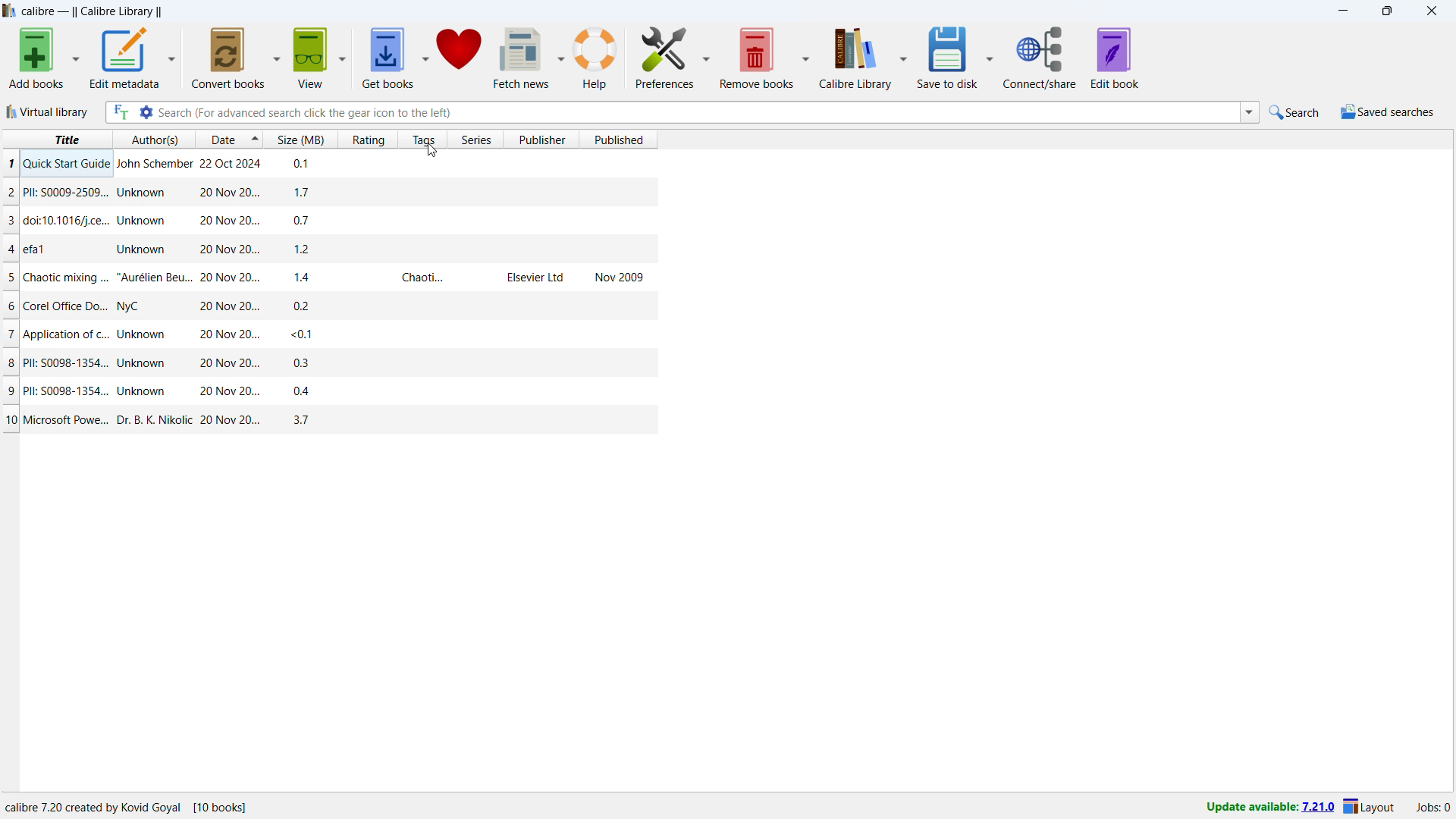  What do you see at coordinates (221, 139) in the screenshot?
I see `sort by date` at bounding box center [221, 139].